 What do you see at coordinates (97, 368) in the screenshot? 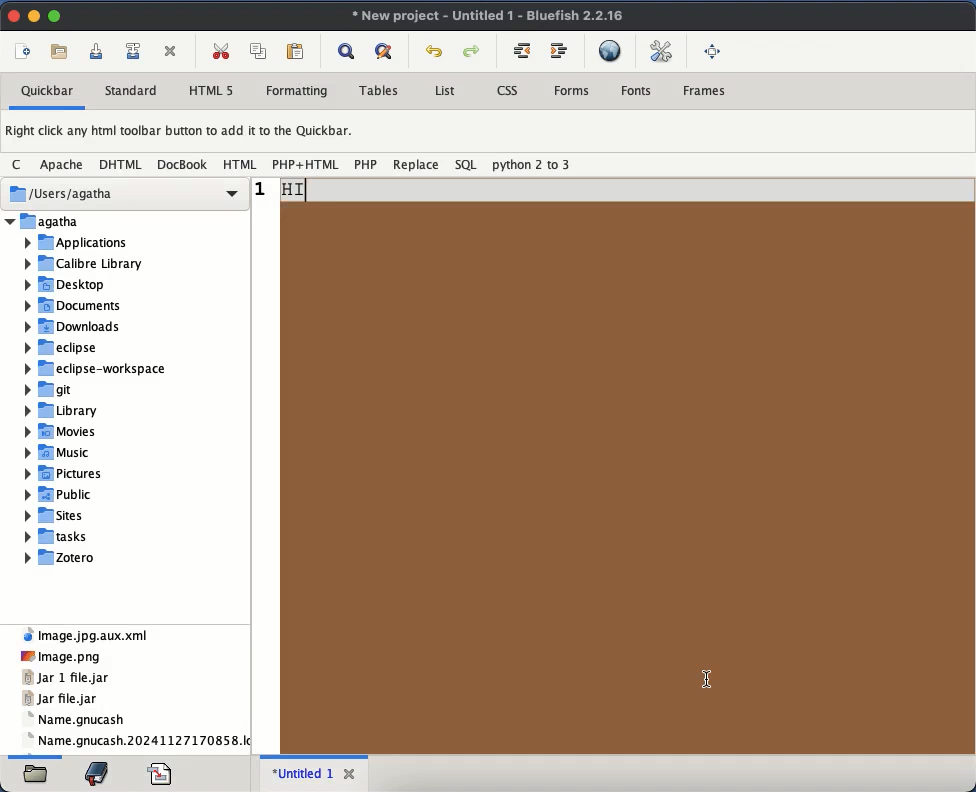
I see `eclipse-workspace` at bounding box center [97, 368].